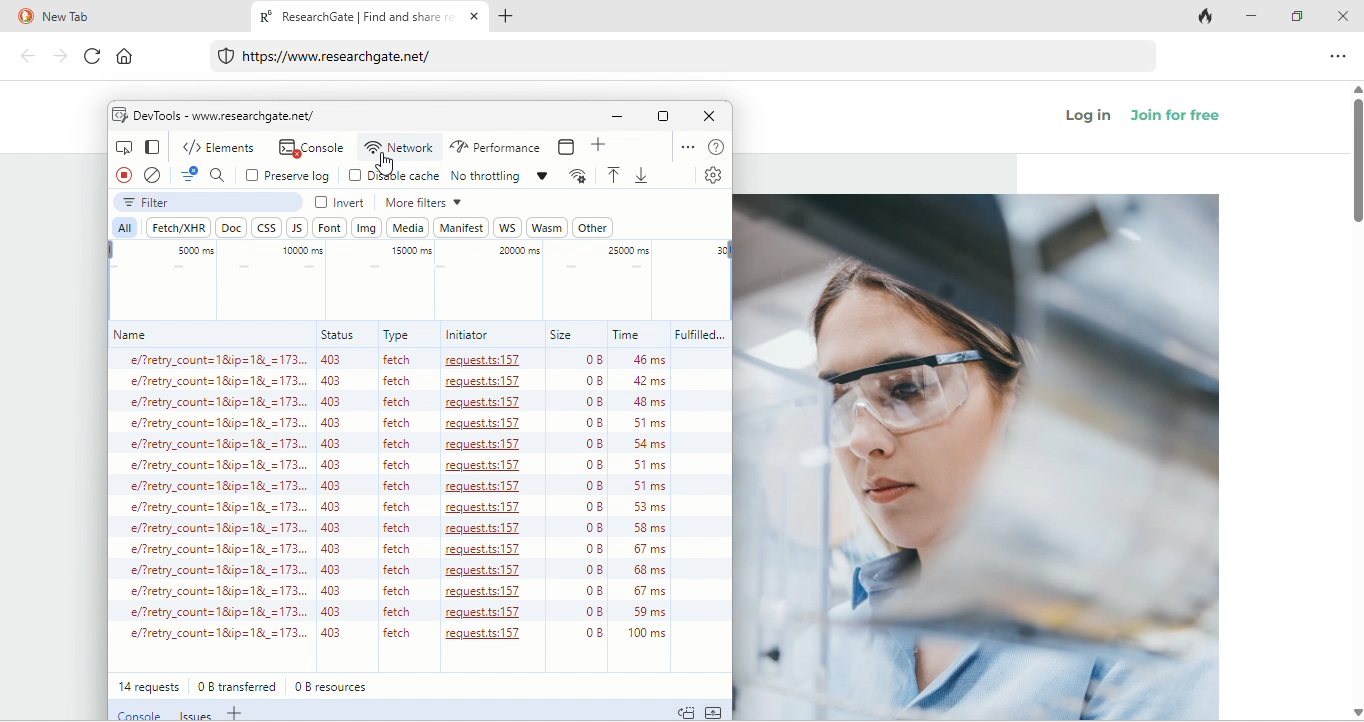 The width and height of the screenshot is (1364, 722). Describe the element at coordinates (343, 202) in the screenshot. I see `invert checkbox` at that location.